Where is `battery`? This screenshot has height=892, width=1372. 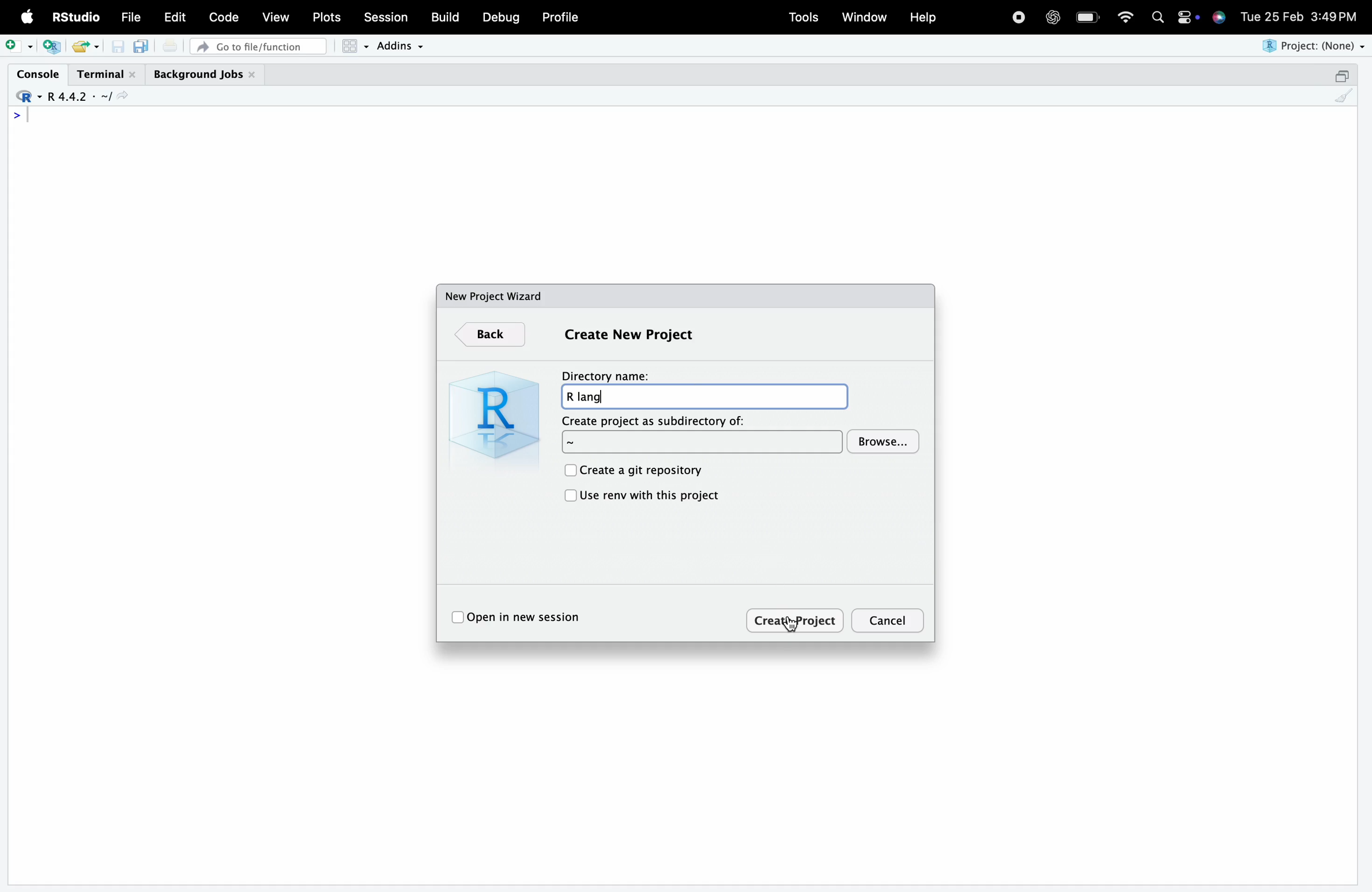
battery is located at coordinates (1087, 17).